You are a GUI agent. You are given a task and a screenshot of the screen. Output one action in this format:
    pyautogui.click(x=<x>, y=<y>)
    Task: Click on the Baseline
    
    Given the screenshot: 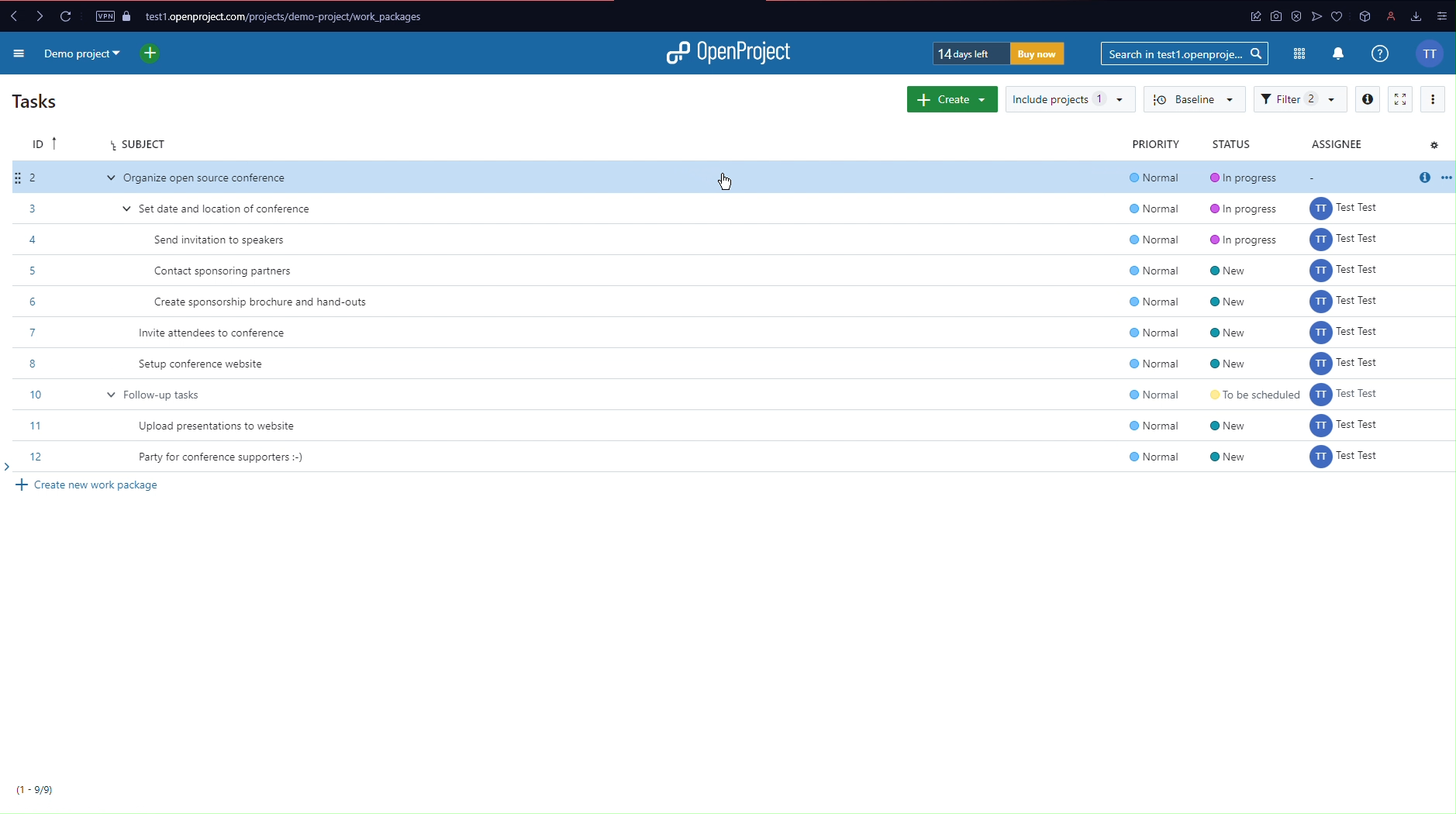 What is the action you would take?
    pyautogui.click(x=1196, y=98)
    